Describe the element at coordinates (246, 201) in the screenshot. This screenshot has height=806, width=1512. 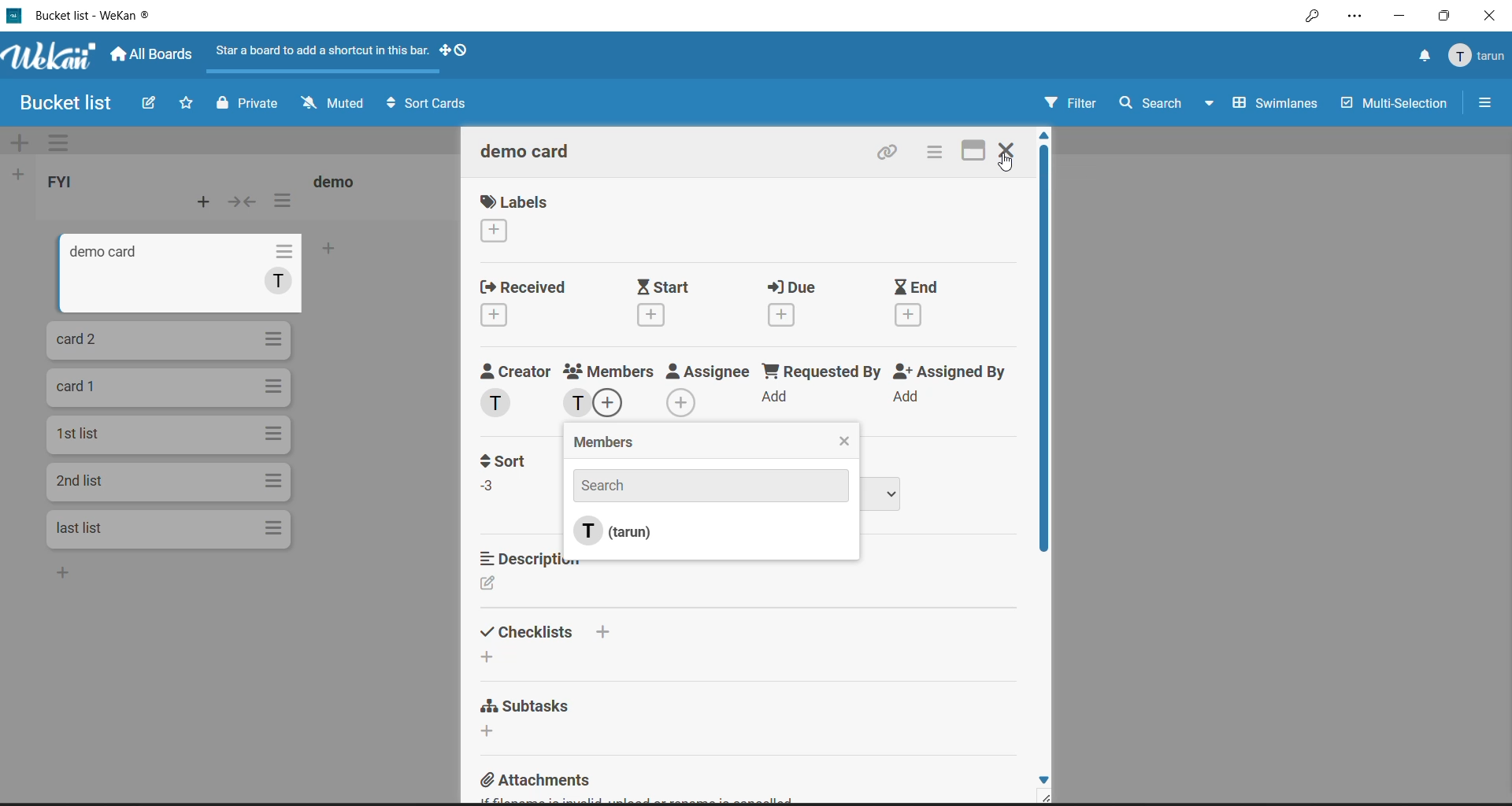
I see `collapse` at that location.